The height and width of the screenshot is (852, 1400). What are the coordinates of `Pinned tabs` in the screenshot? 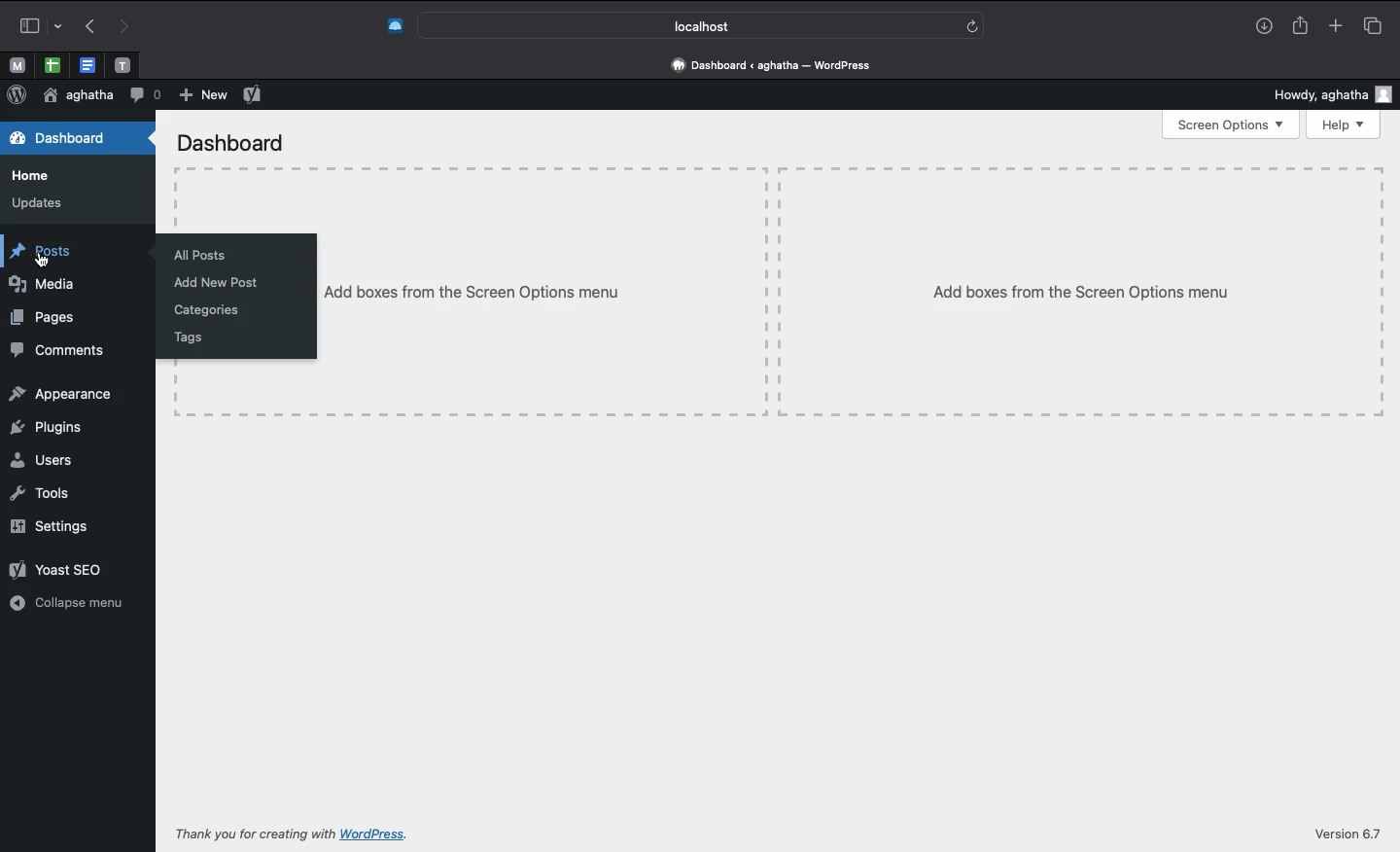 It's located at (15, 64).